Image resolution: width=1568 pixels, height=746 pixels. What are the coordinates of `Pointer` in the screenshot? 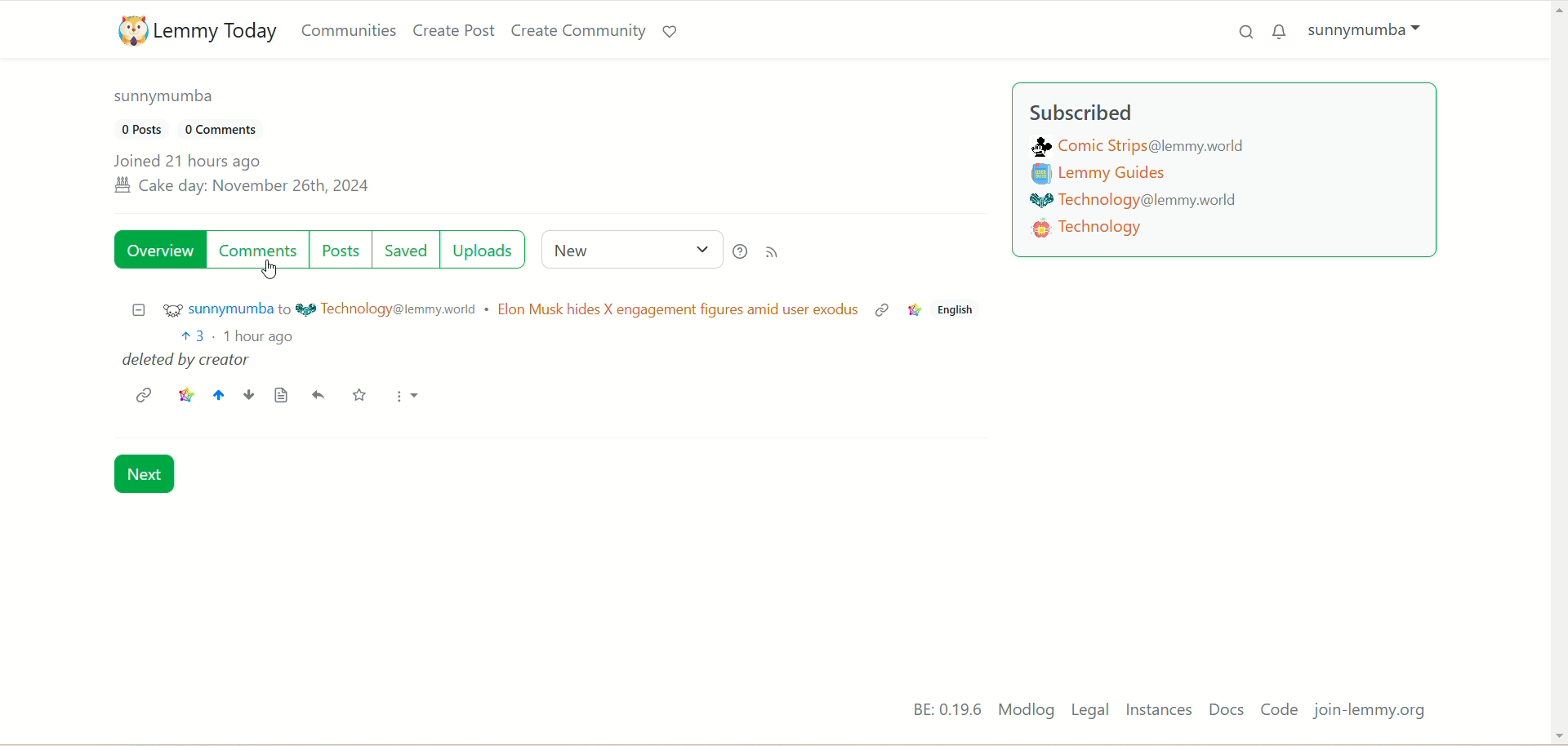 It's located at (269, 273).